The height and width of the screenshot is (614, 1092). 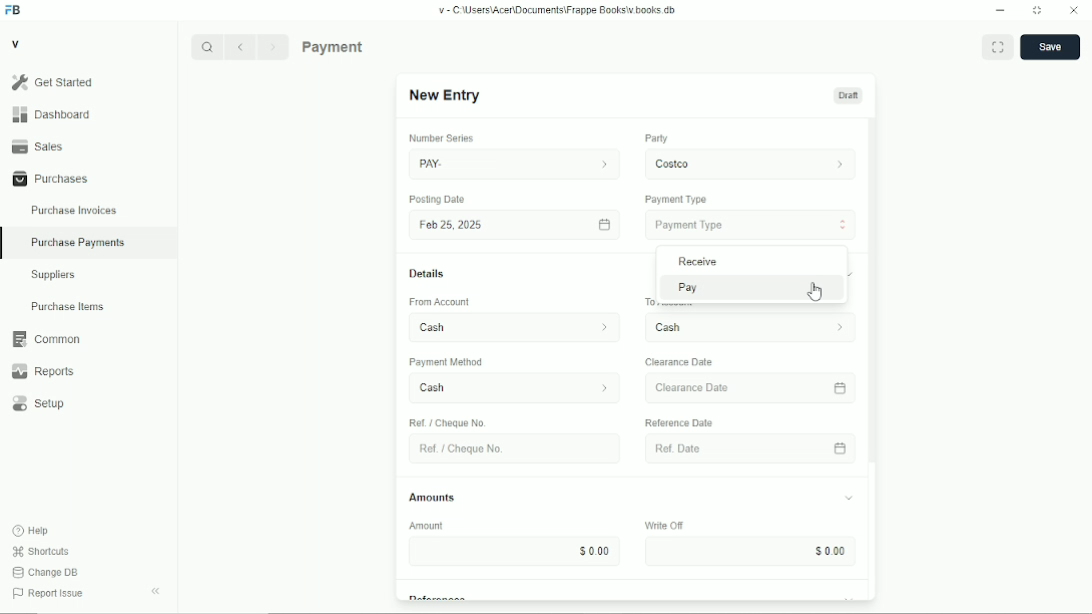 I want to click on Reports, so click(x=89, y=371).